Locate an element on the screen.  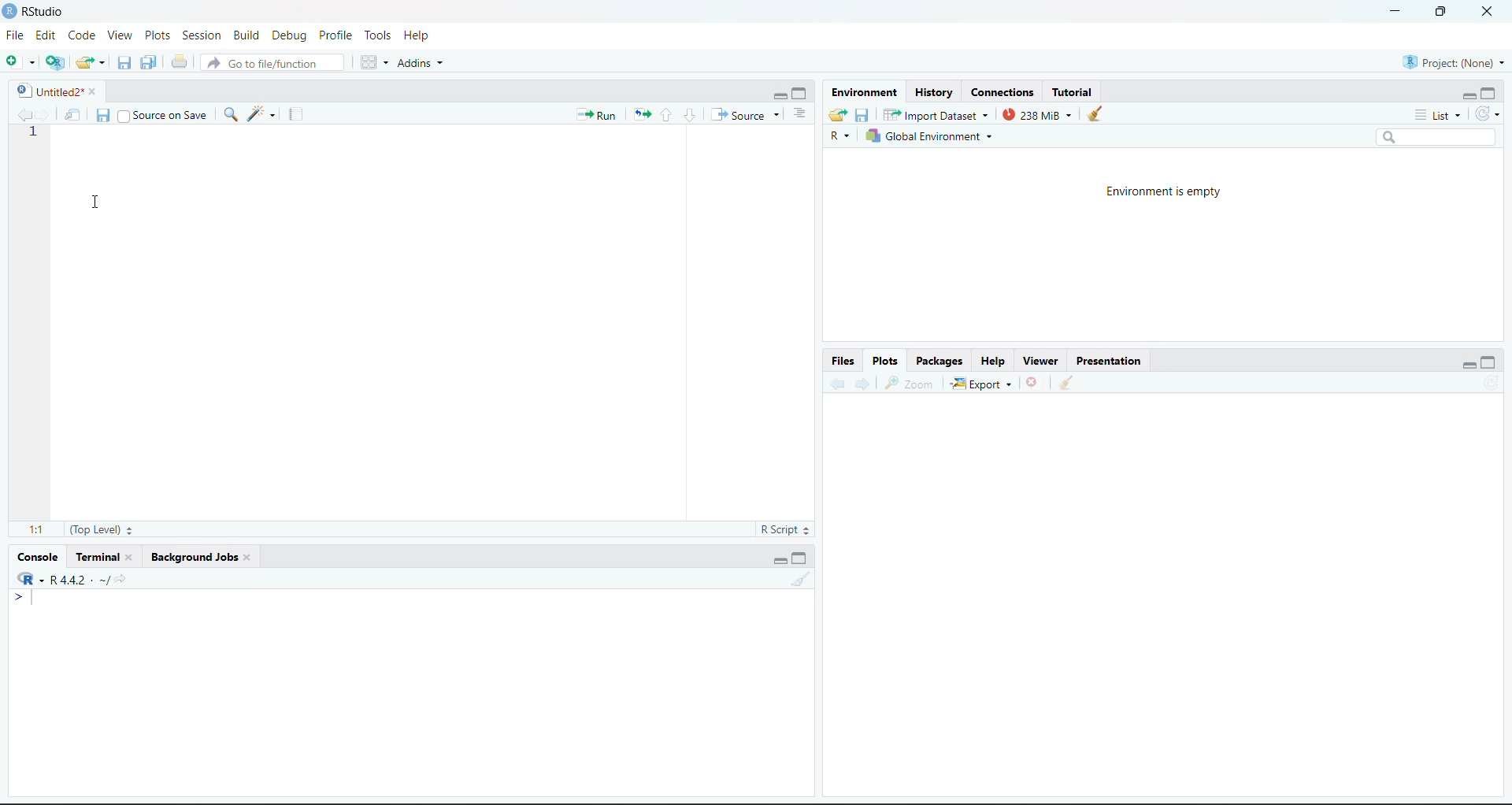
maximize is located at coordinates (1488, 362).